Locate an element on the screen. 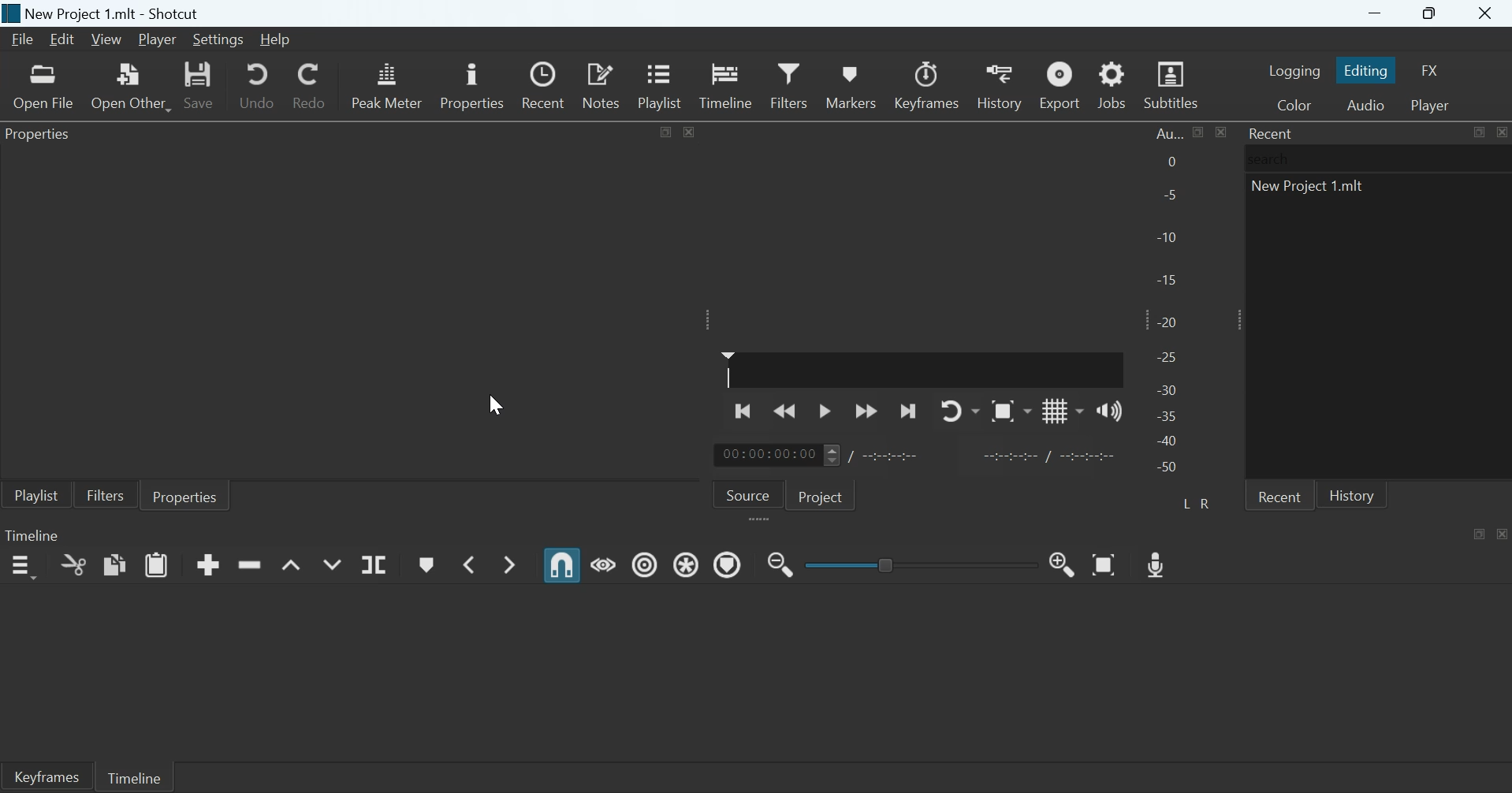 This screenshot has height=793, width=1512. Start marker/End marker is located at coordinates (1052, 454).